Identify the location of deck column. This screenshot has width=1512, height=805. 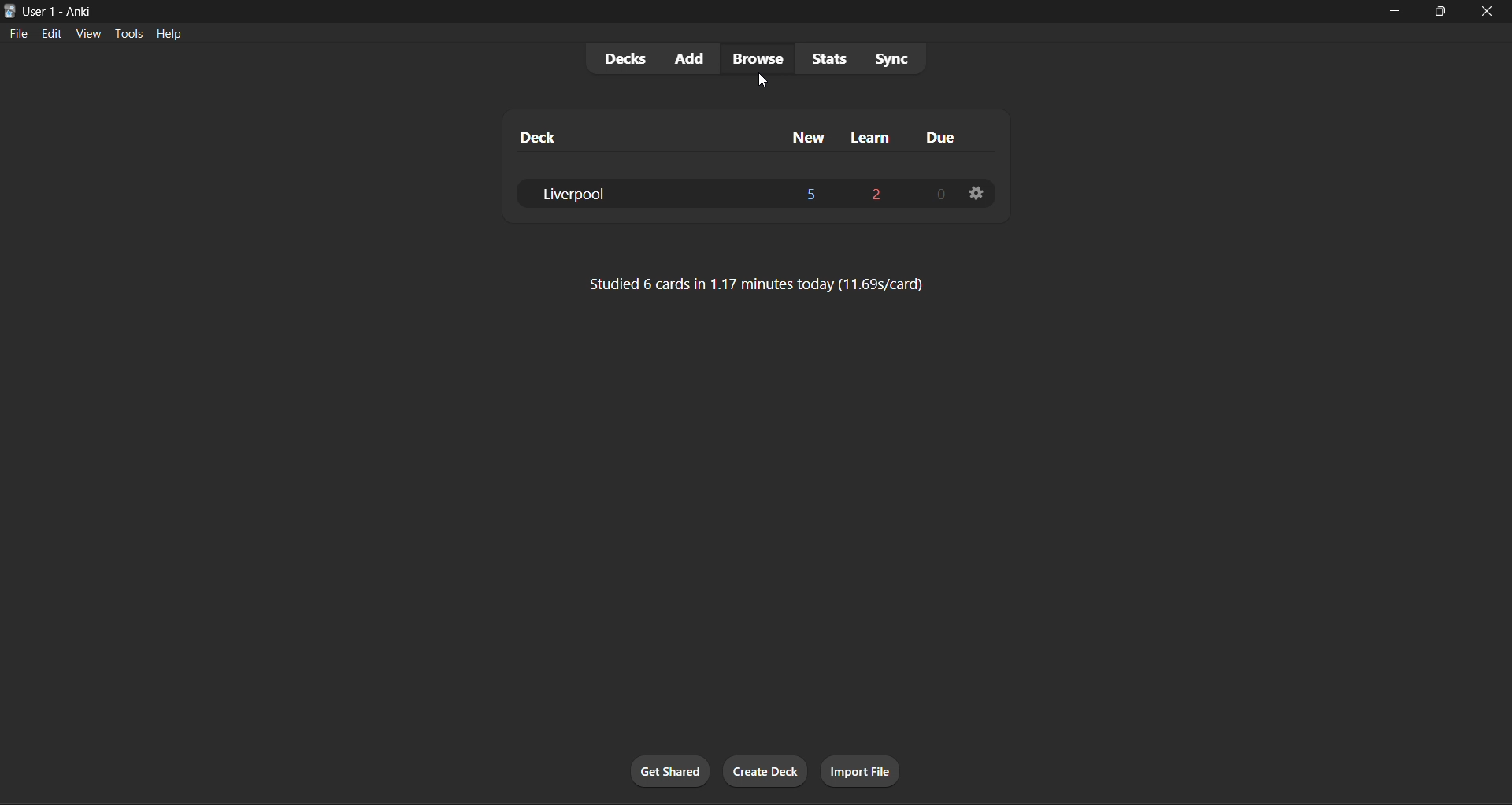
(636, 137).